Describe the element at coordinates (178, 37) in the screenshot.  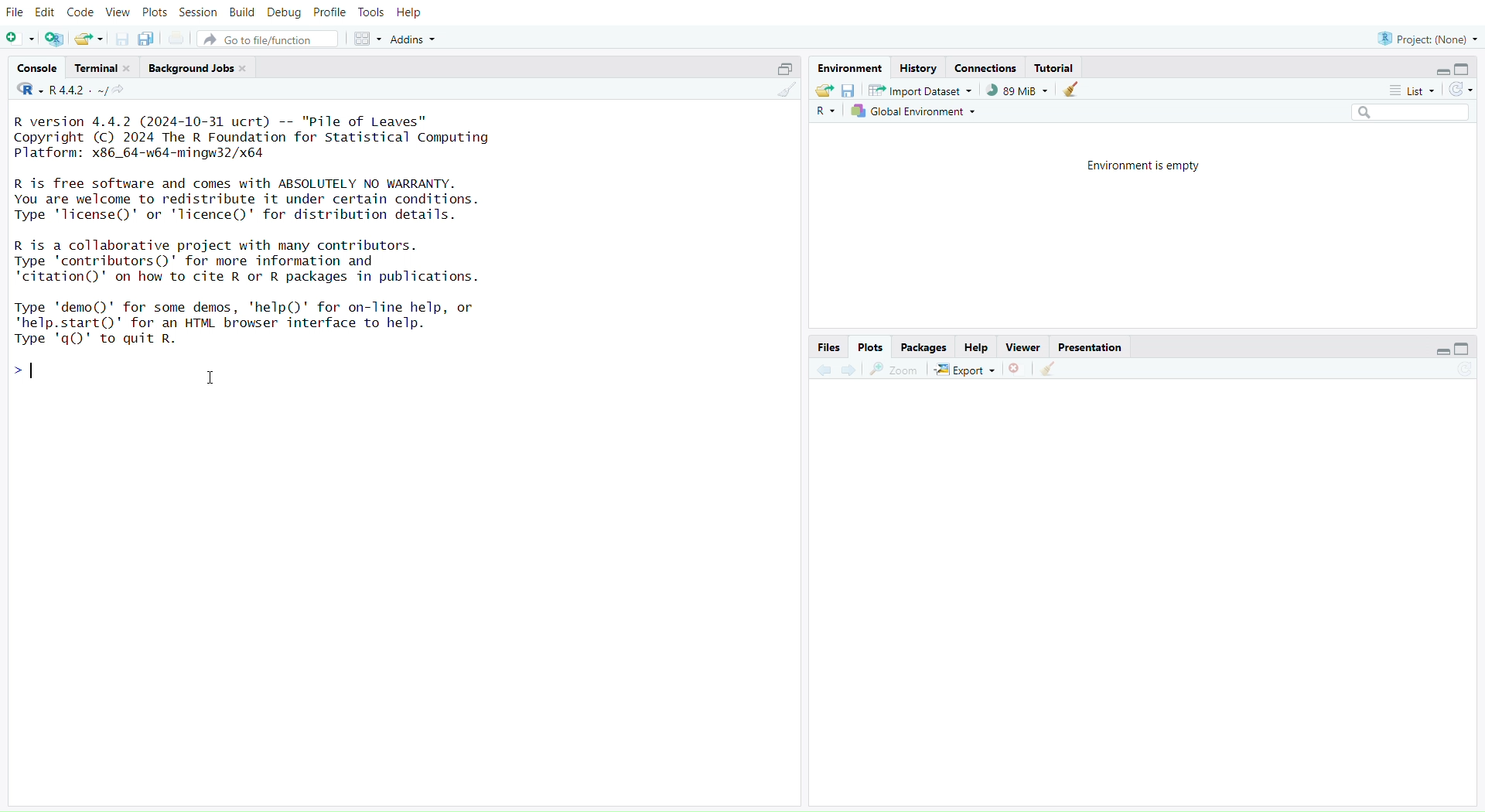
I see `Print the current file` at that location.